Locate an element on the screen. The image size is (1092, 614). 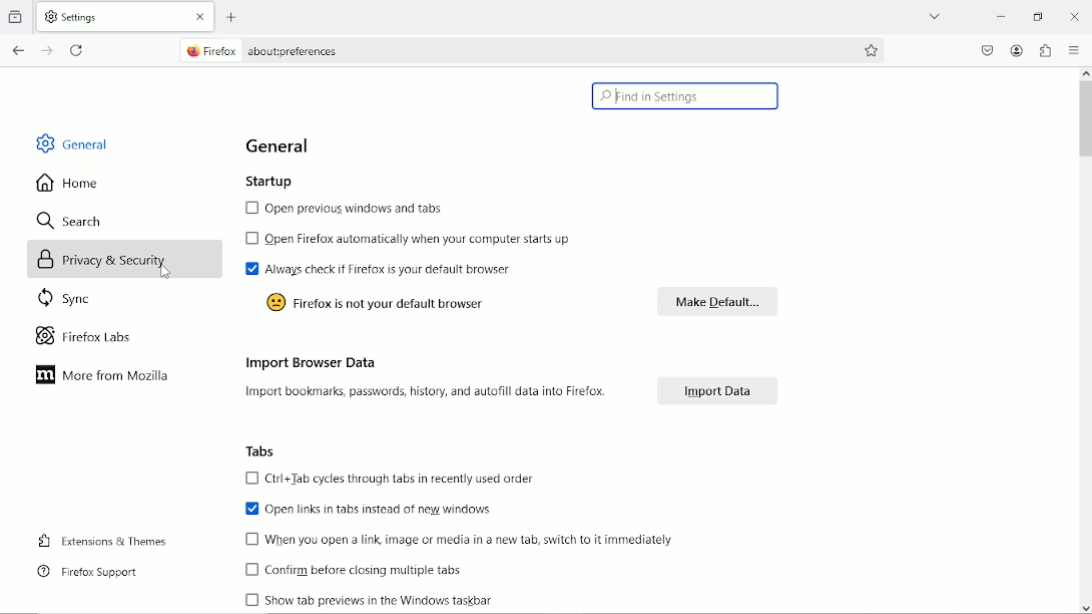
check box is located at coordinates (252, 600).